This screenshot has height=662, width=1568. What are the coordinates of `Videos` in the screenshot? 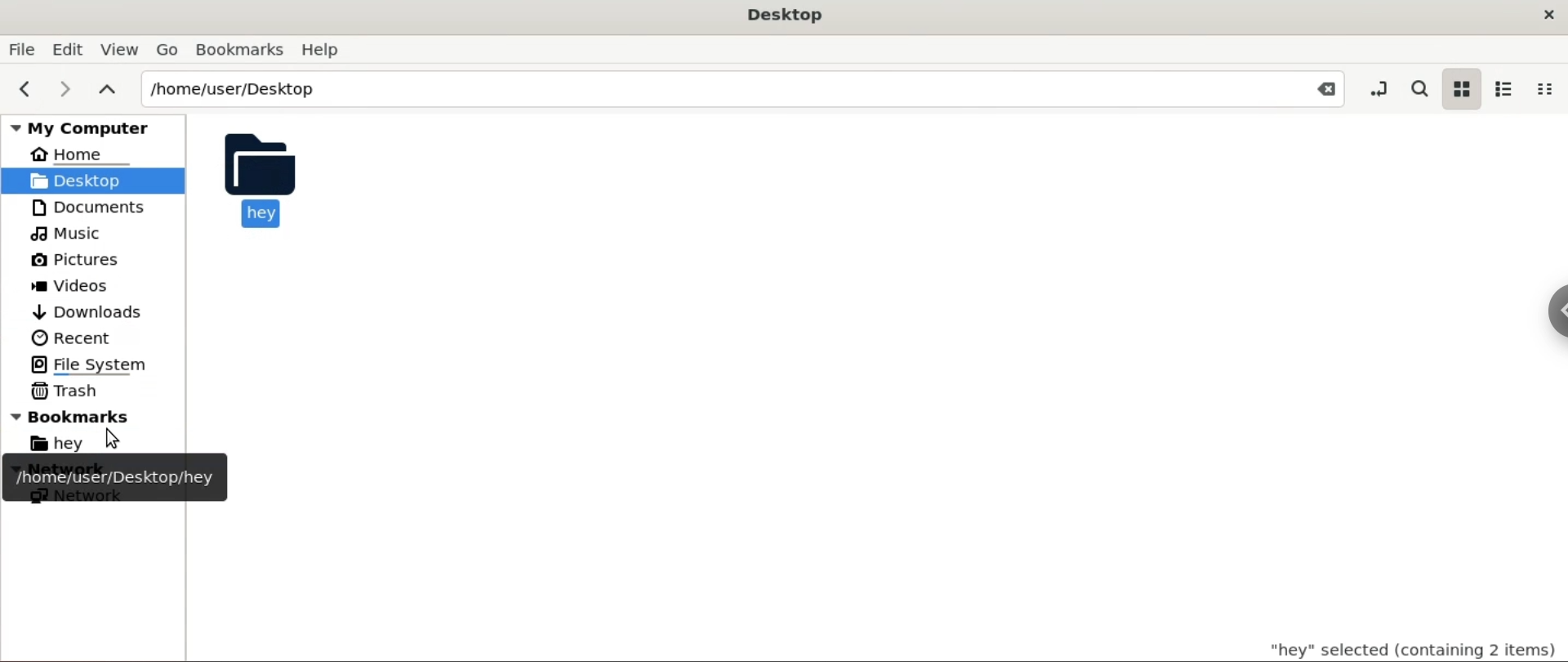 It's located at (82, 287).